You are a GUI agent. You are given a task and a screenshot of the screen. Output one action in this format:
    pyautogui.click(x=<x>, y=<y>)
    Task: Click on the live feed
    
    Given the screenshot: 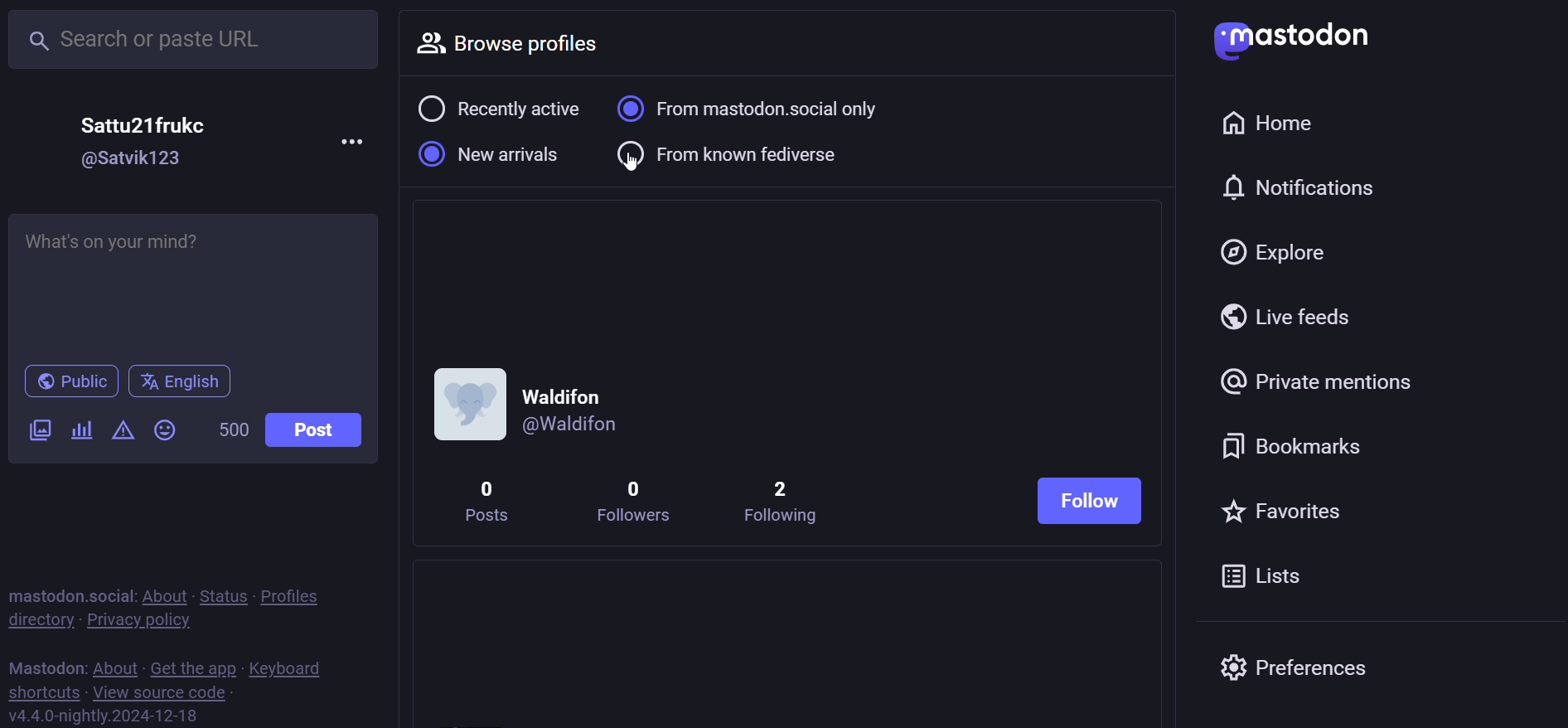 What is the action you would take?
    pyautogui.click(x=1294, y=320)
    